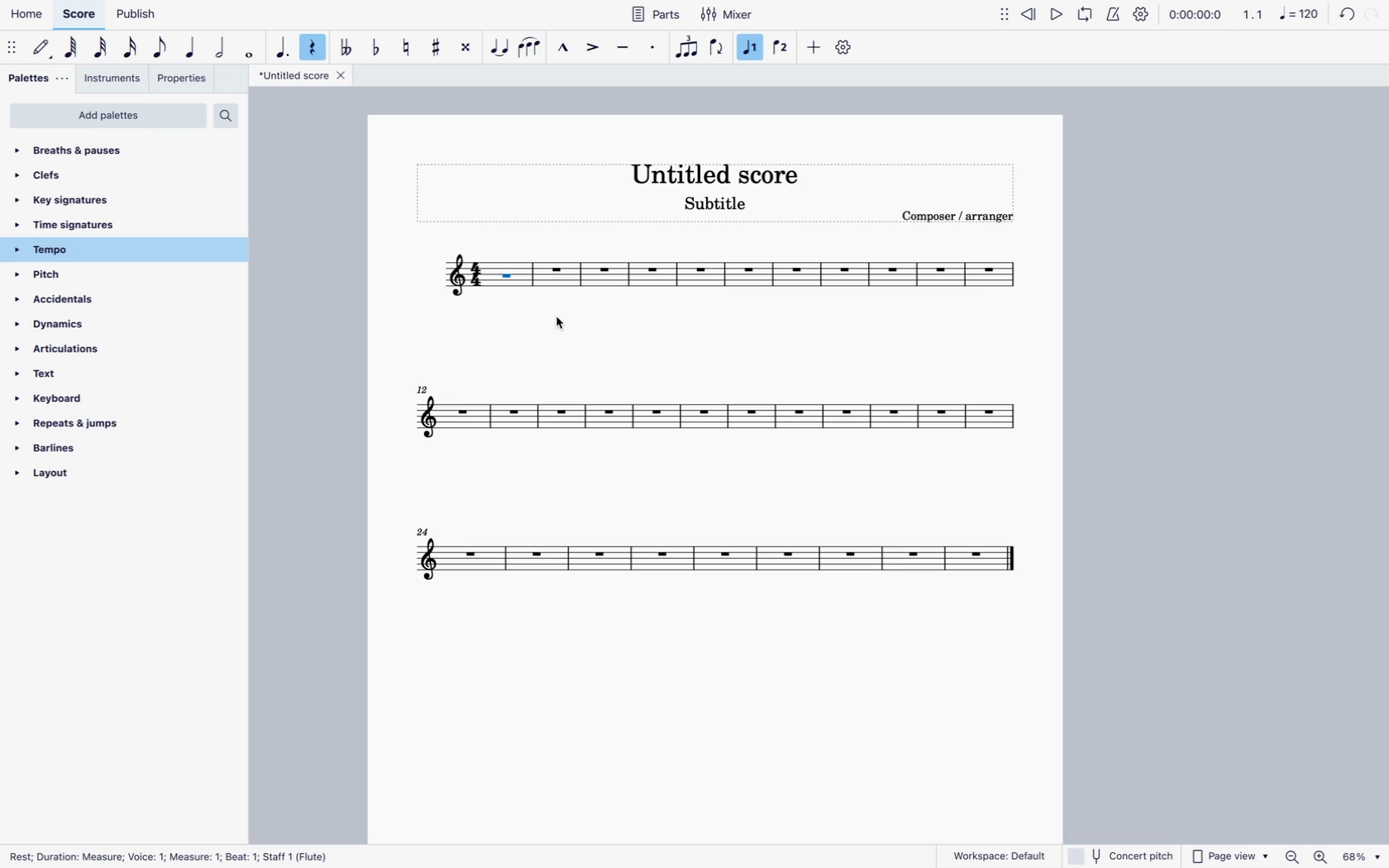  What do you see at coordinates (715, 557) in the screenshot?
I see `score` at bounding box center [715, 557].